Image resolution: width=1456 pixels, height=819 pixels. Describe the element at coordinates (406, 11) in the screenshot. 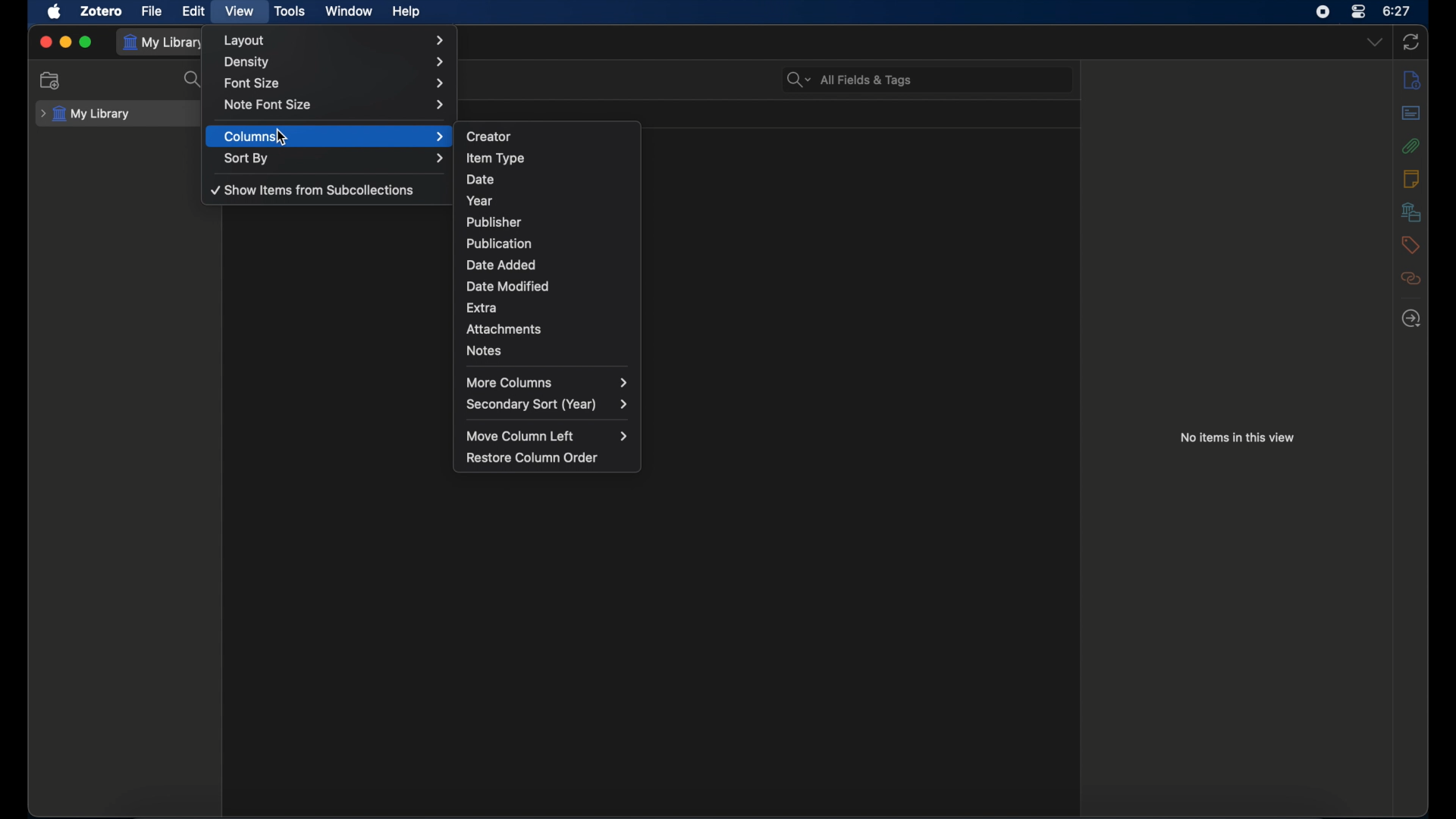

I see `help` at that location.